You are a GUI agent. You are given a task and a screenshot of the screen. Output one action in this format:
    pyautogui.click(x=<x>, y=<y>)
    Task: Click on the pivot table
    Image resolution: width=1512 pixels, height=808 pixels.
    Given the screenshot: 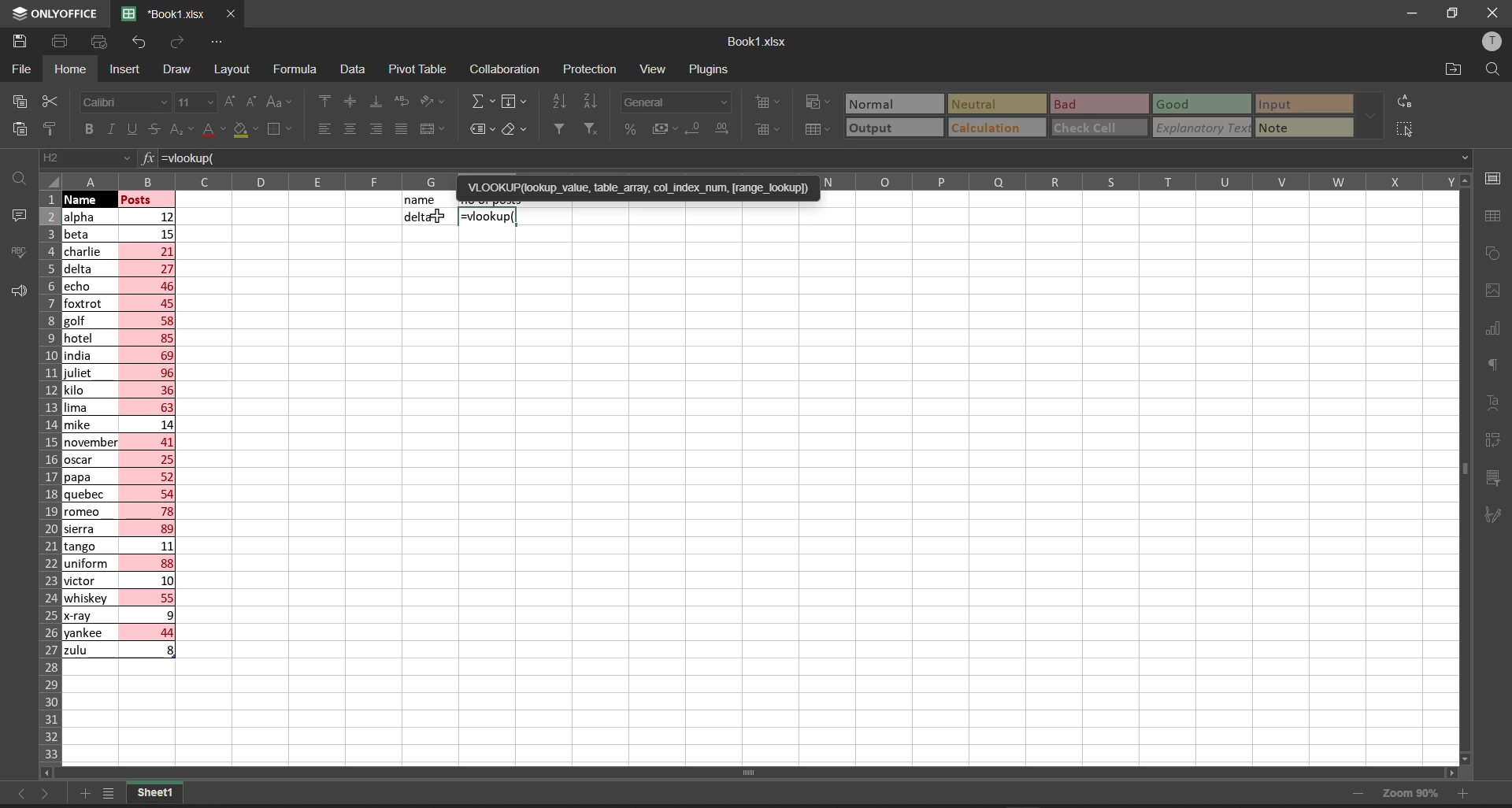 What is the action you would take?
    pyautogui.click(x=418, y=67)
    